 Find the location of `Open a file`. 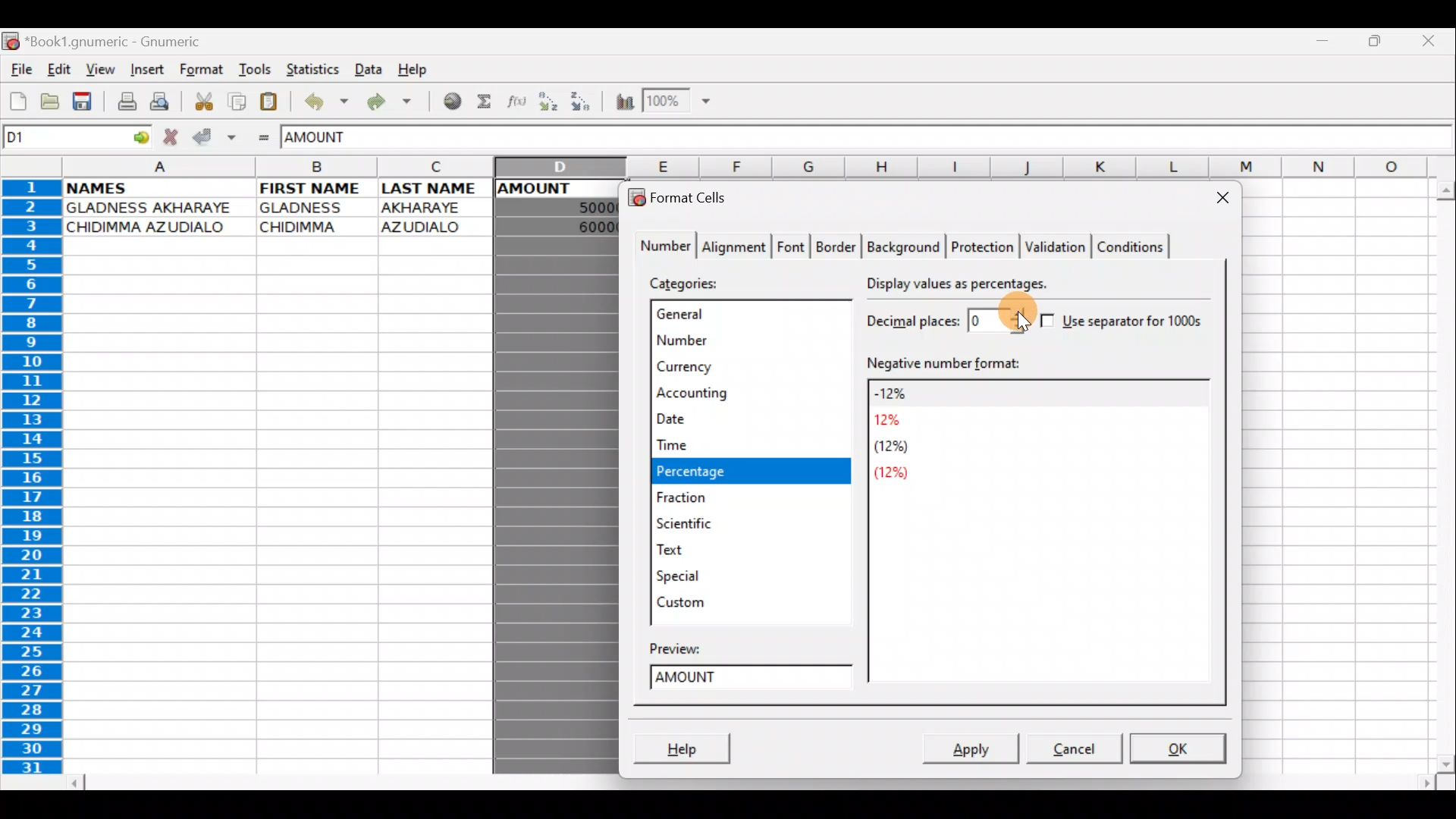

Open a file is located at coordinates (46, 104).